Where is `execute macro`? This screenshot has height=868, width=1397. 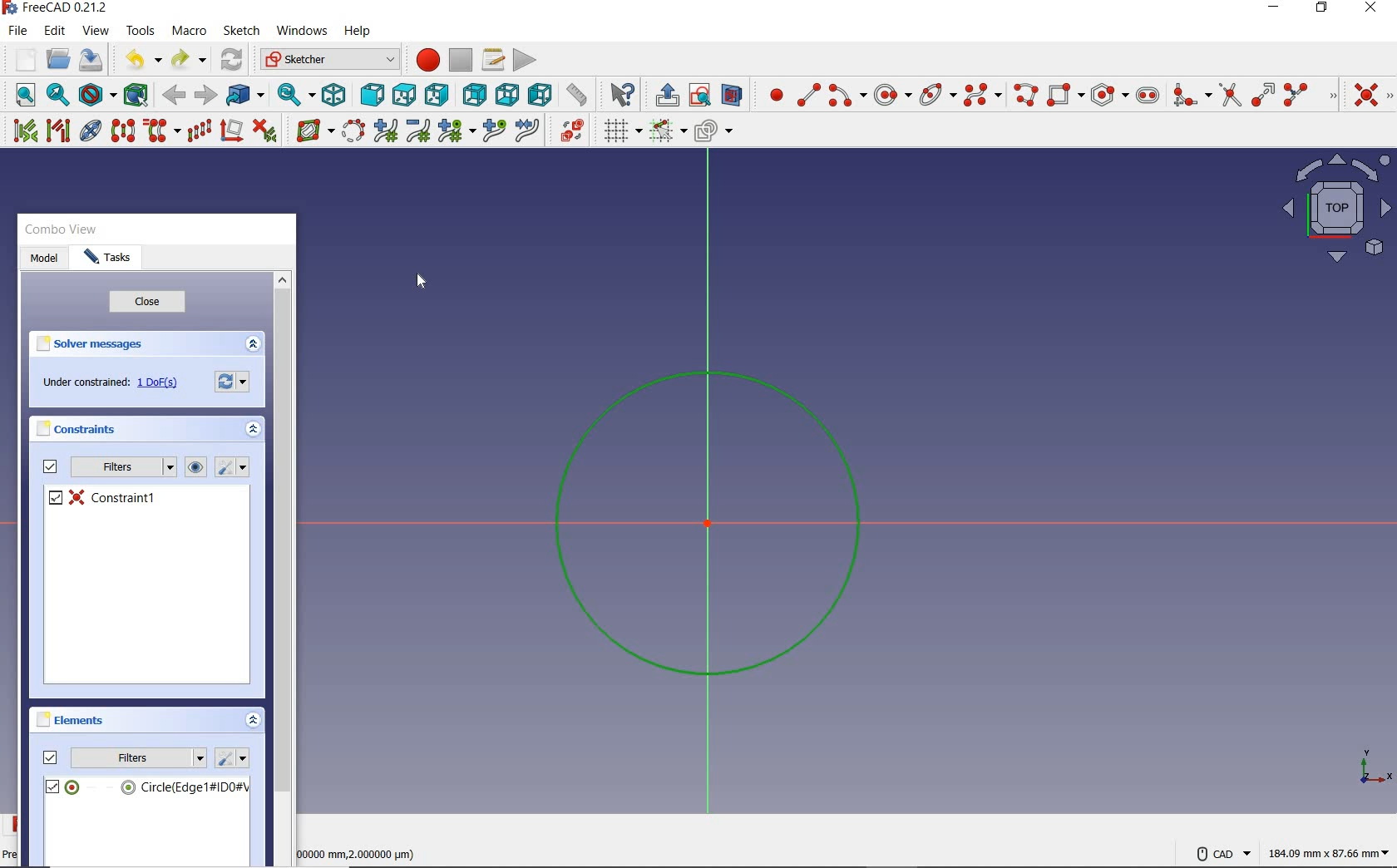
execute macro is located at coordinates (527, 57).